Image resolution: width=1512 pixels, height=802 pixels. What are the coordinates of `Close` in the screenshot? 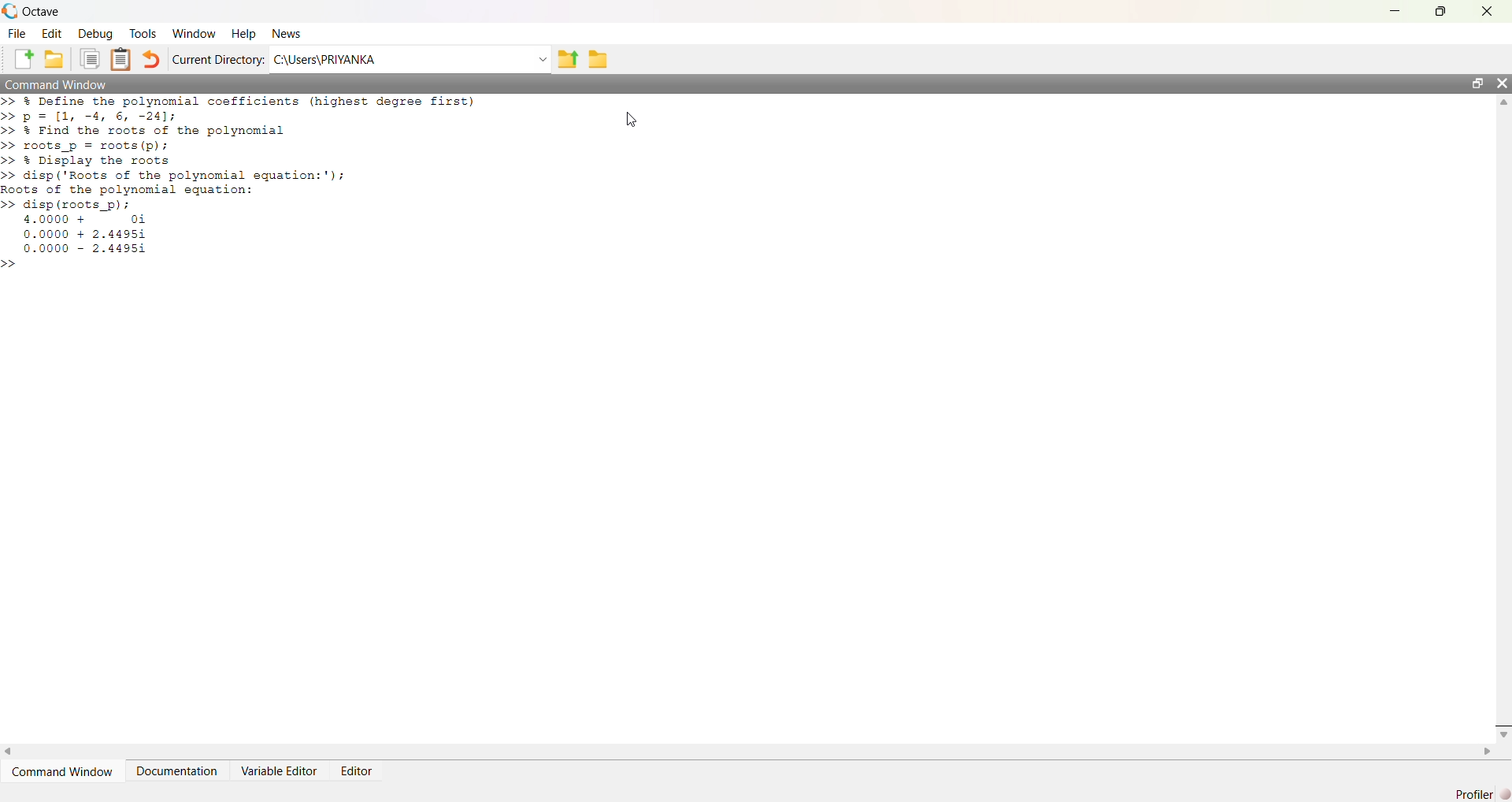 It's located at (1484, 12).